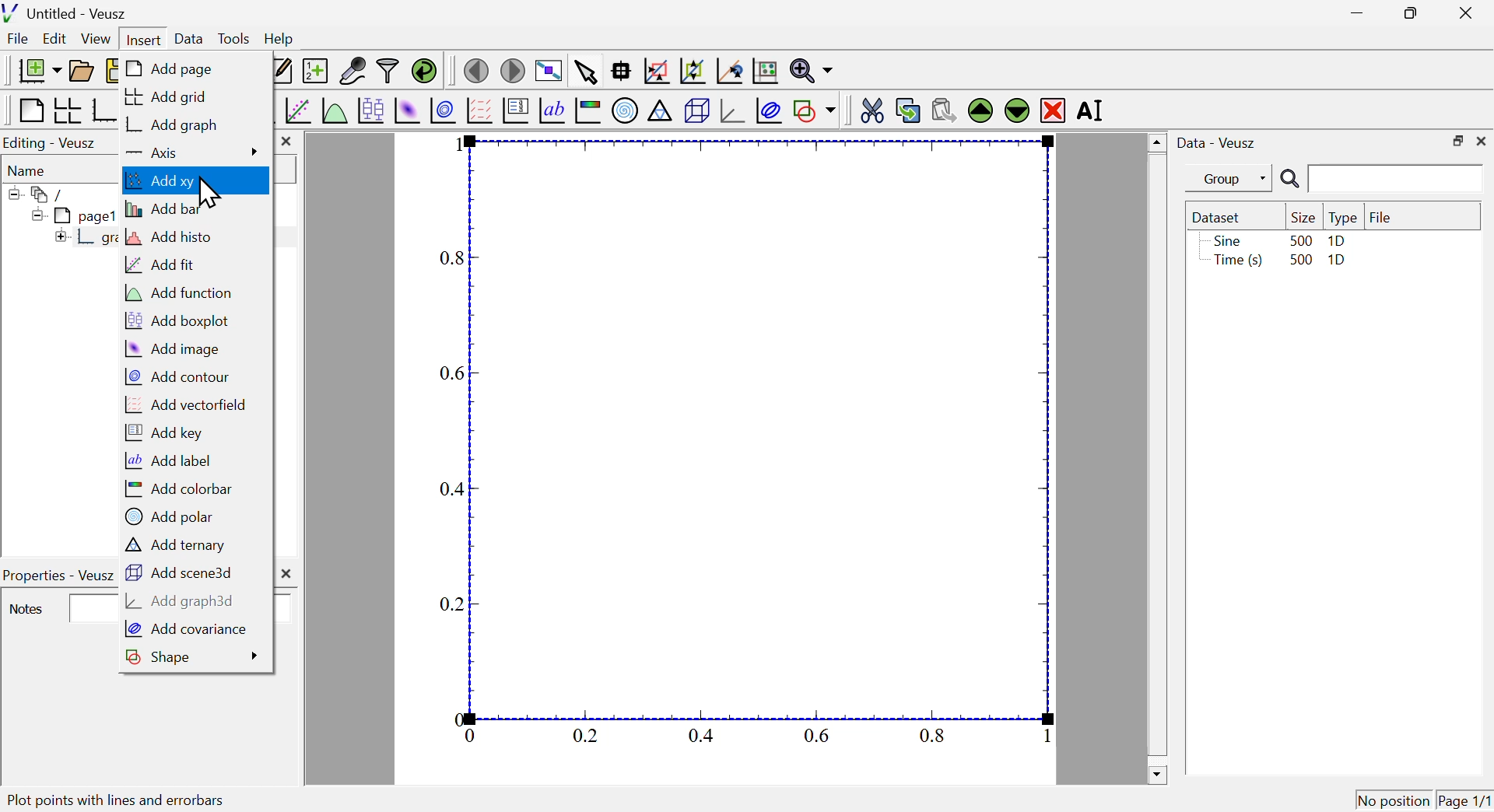 This screenshot has width=1494, height=812. I want to click on 0, so click(458, 718).